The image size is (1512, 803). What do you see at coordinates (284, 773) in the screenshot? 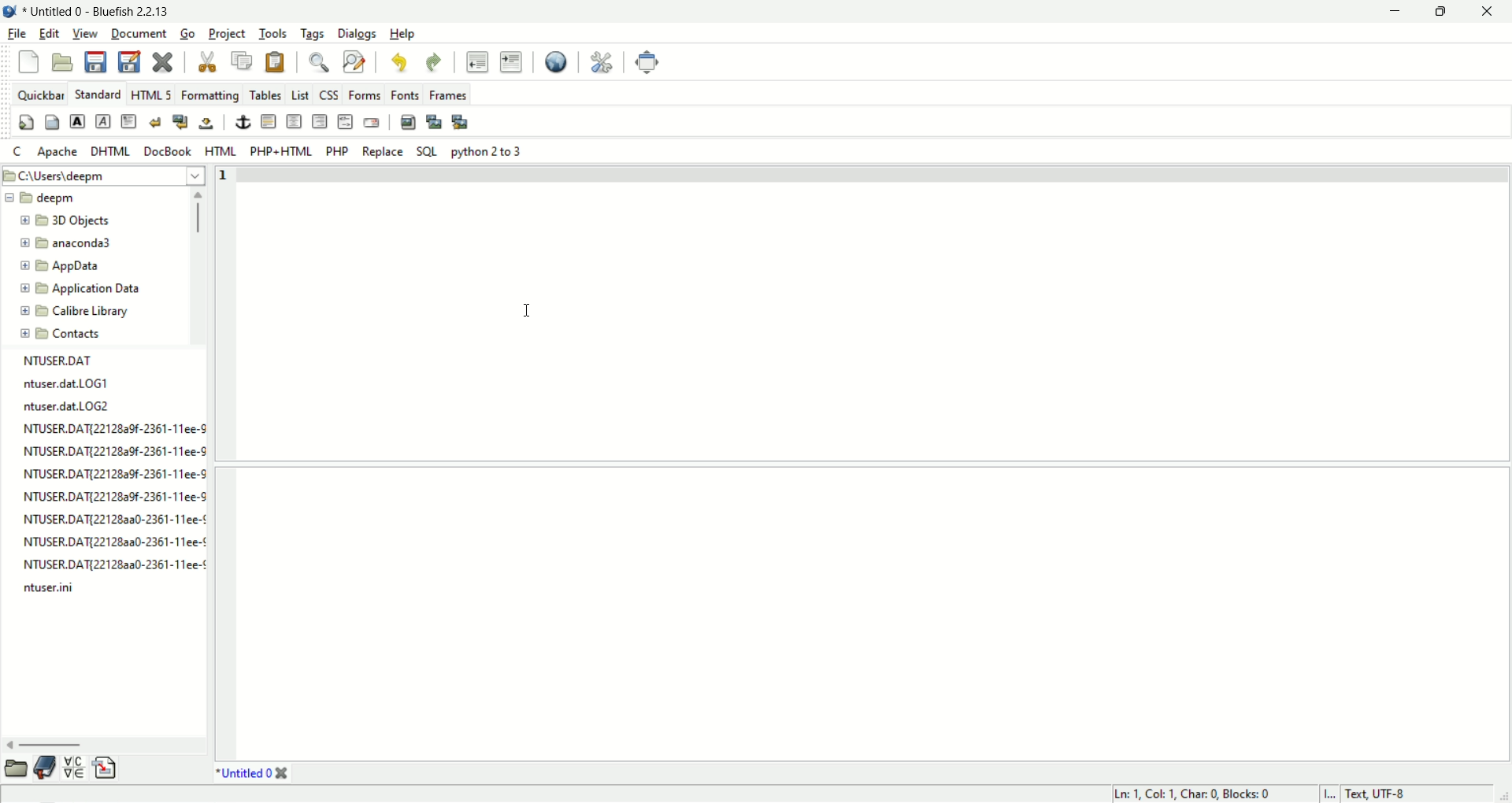
I see `close` at bounding box center [284, 773].